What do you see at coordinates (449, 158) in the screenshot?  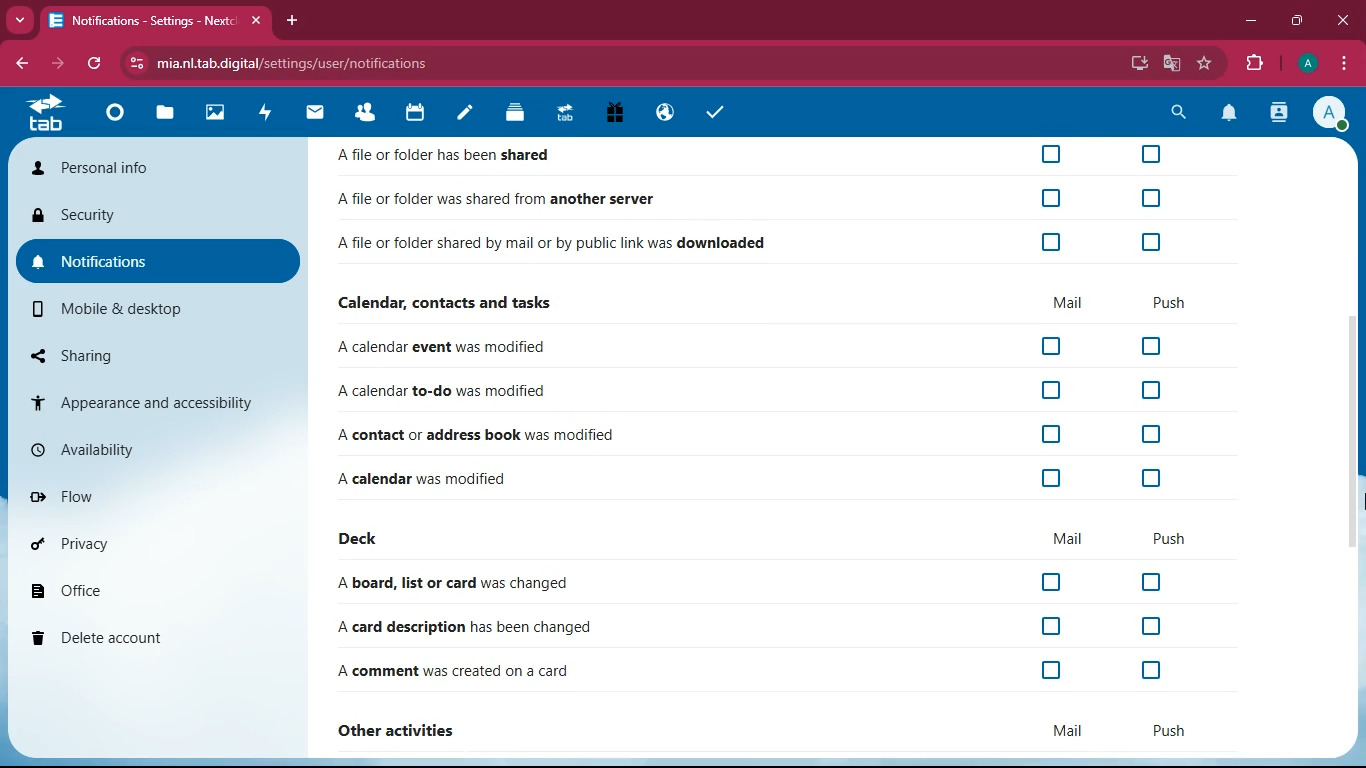 I see `Afile or folder has been shared` at bounding box center [449, 158].